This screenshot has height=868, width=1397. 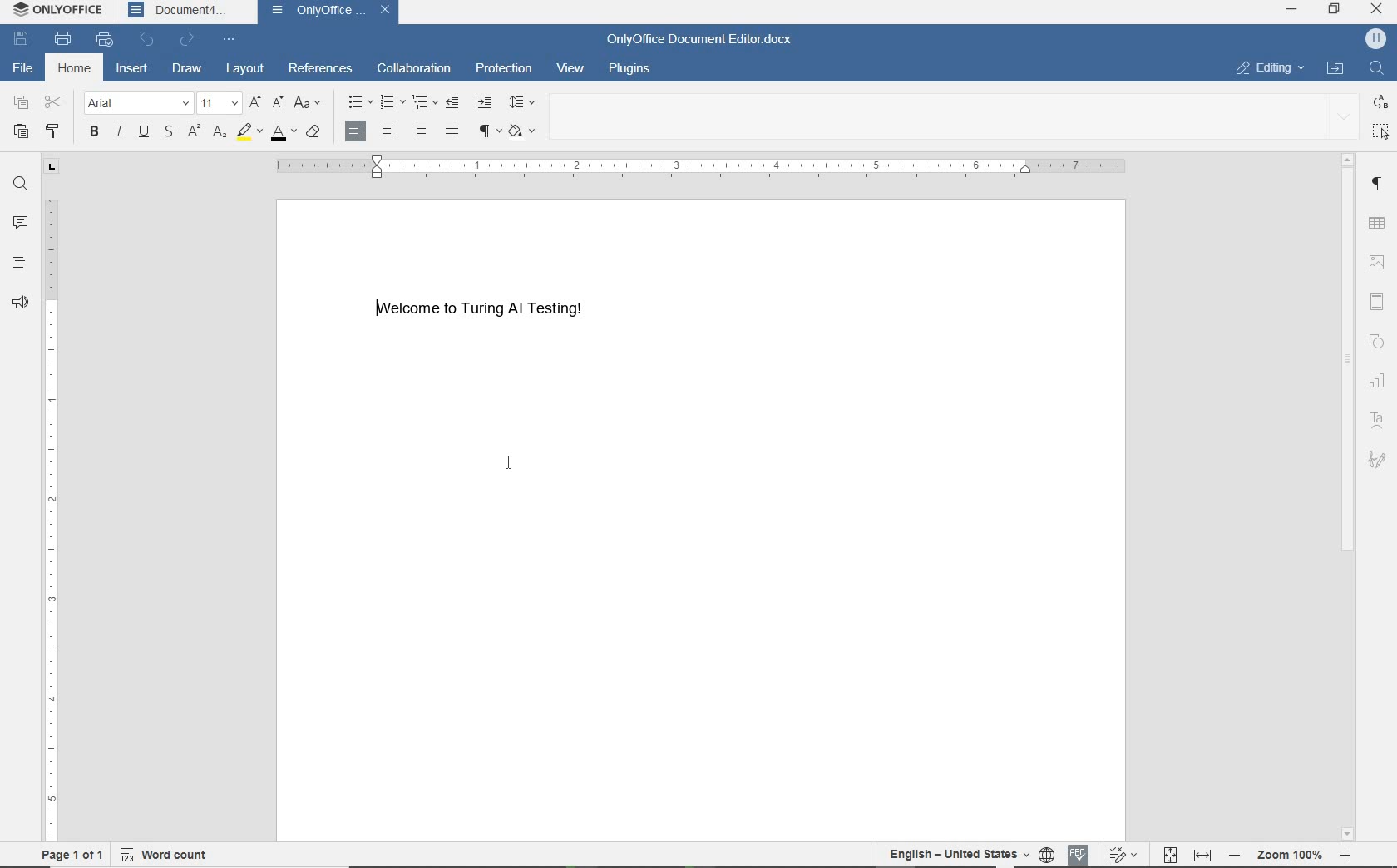 What do you see at coordinates (524, 131) in the screenshot?
I see `theme colors` at bounding box center [524, 131].